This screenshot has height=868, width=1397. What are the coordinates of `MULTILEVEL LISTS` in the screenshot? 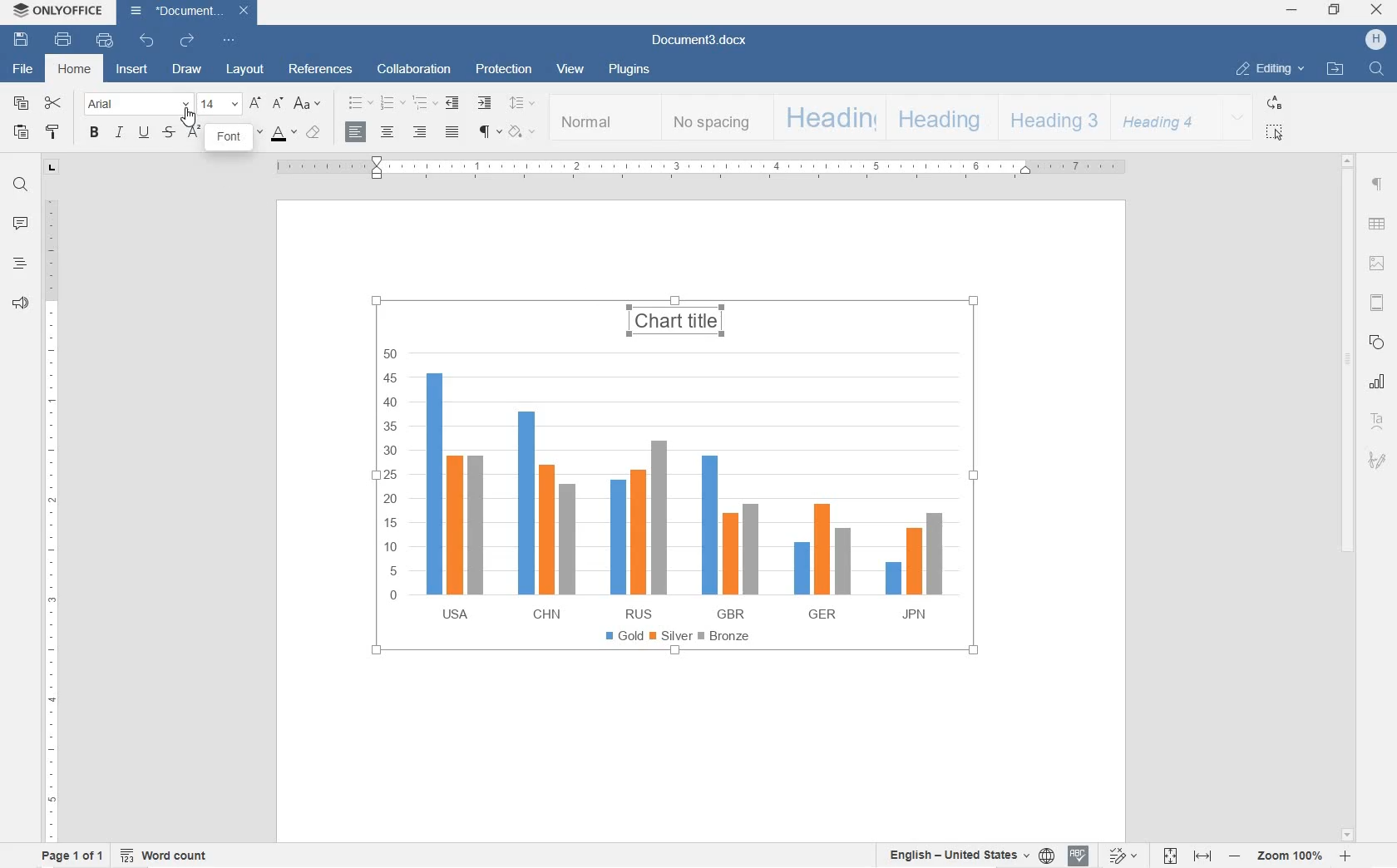 It's located at (425, 104).